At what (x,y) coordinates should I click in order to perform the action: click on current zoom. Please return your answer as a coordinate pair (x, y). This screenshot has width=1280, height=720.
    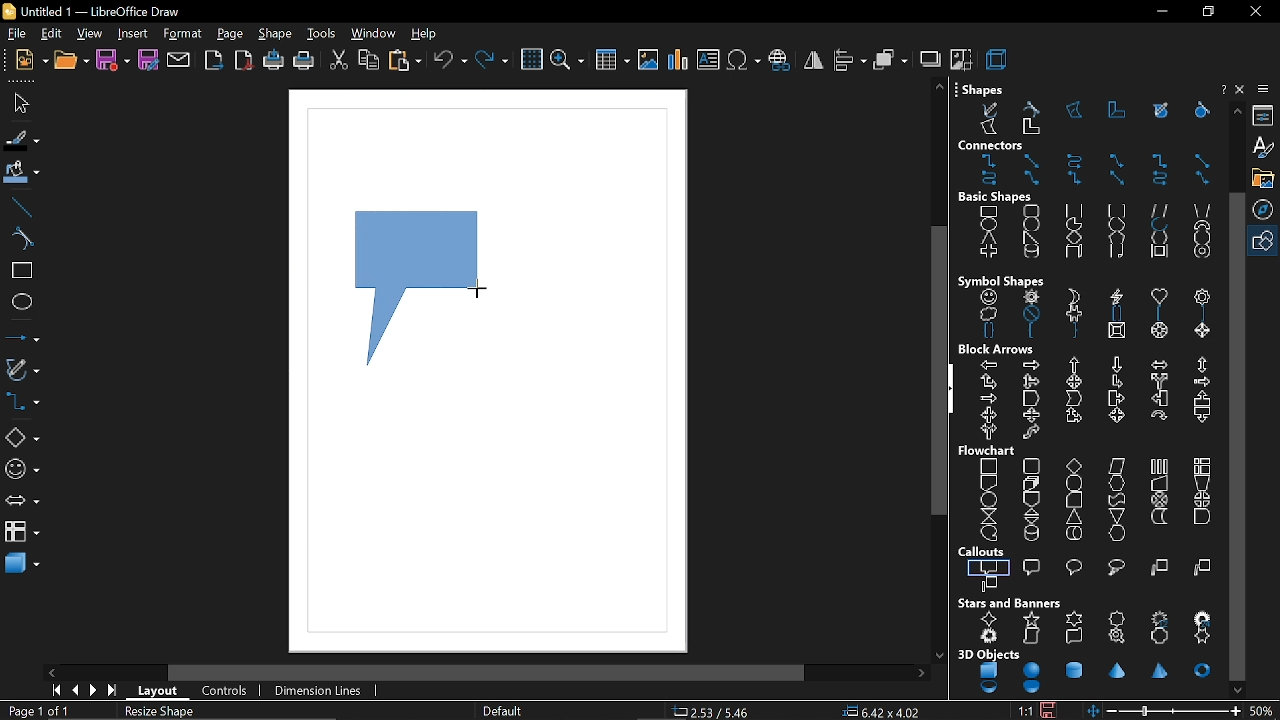
    Looking at the image, I should click on (1263, 711).